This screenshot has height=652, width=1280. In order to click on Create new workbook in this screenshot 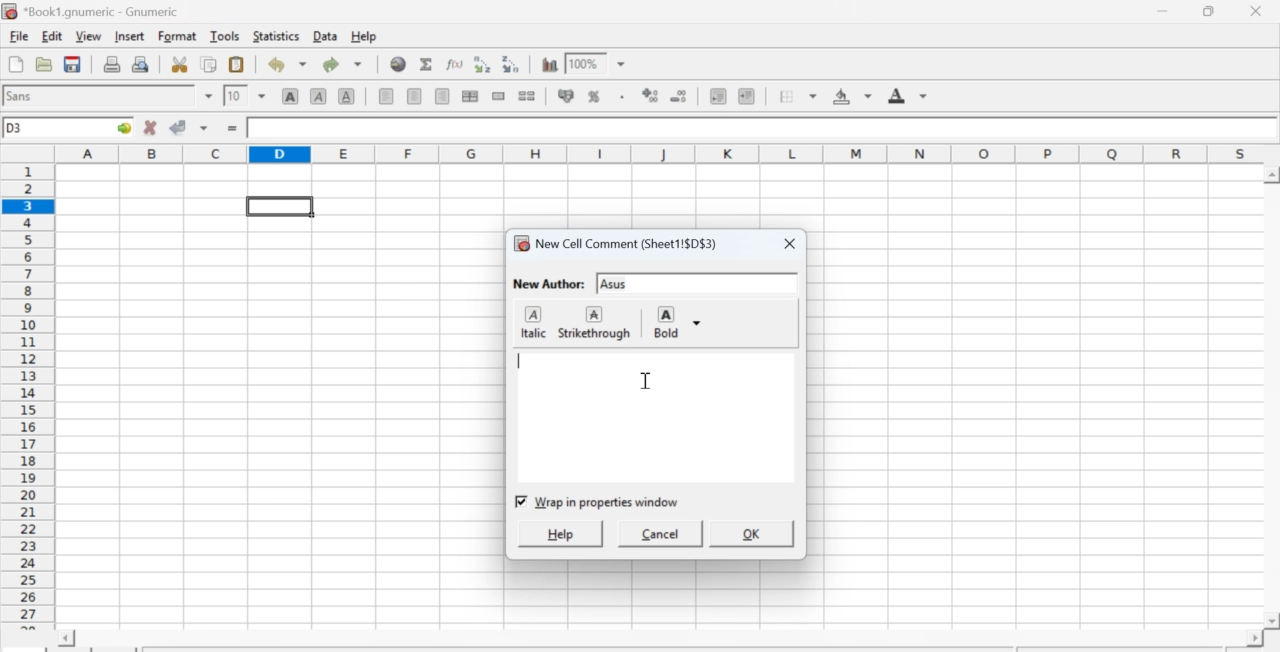, I will do `click(13, 65)`.